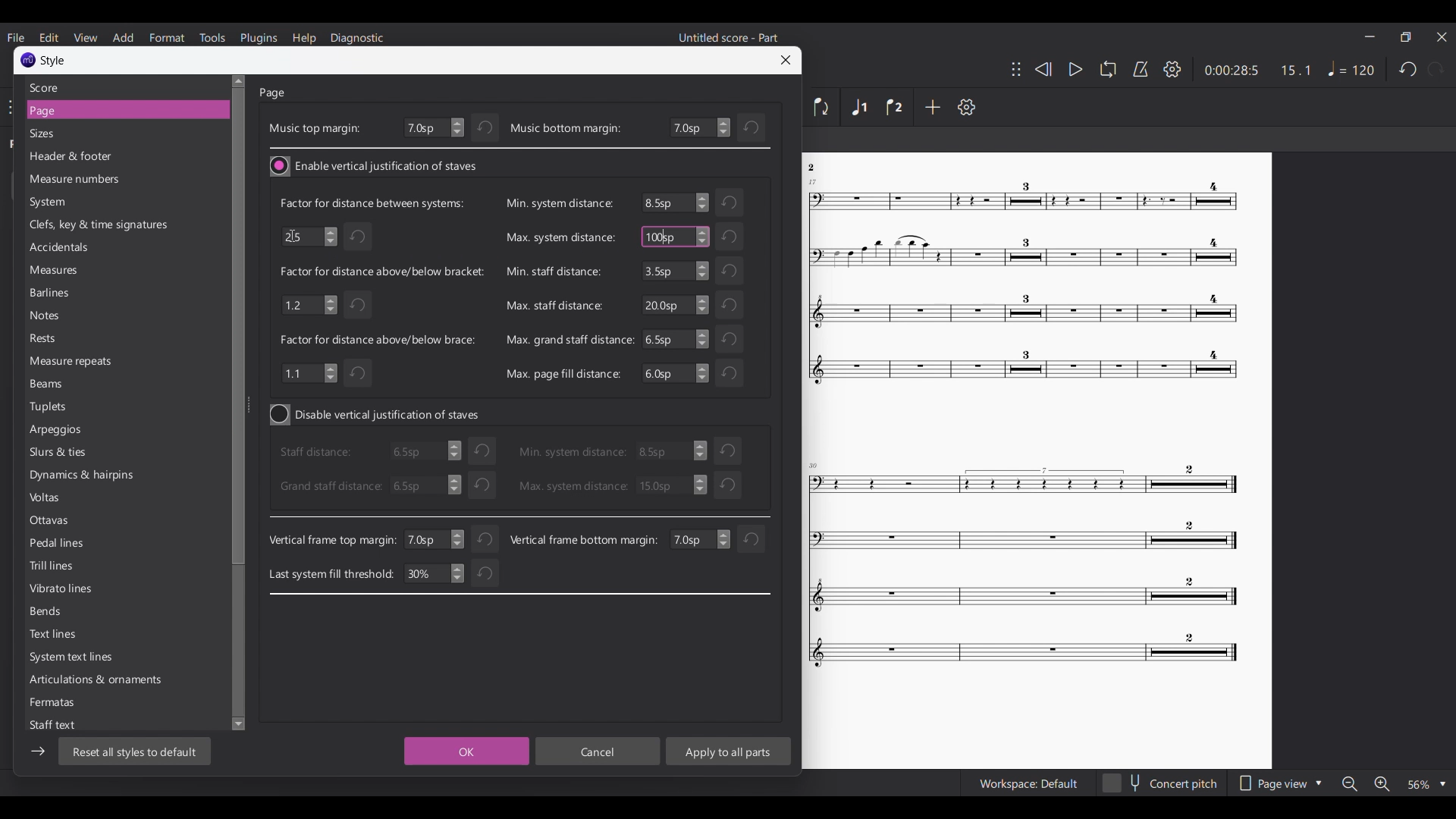 The image size is (1456, 819). What do you see at coordinates (674, 452) in the screenshot?
I see `3.5 sp` at bounding box center [674, 452].